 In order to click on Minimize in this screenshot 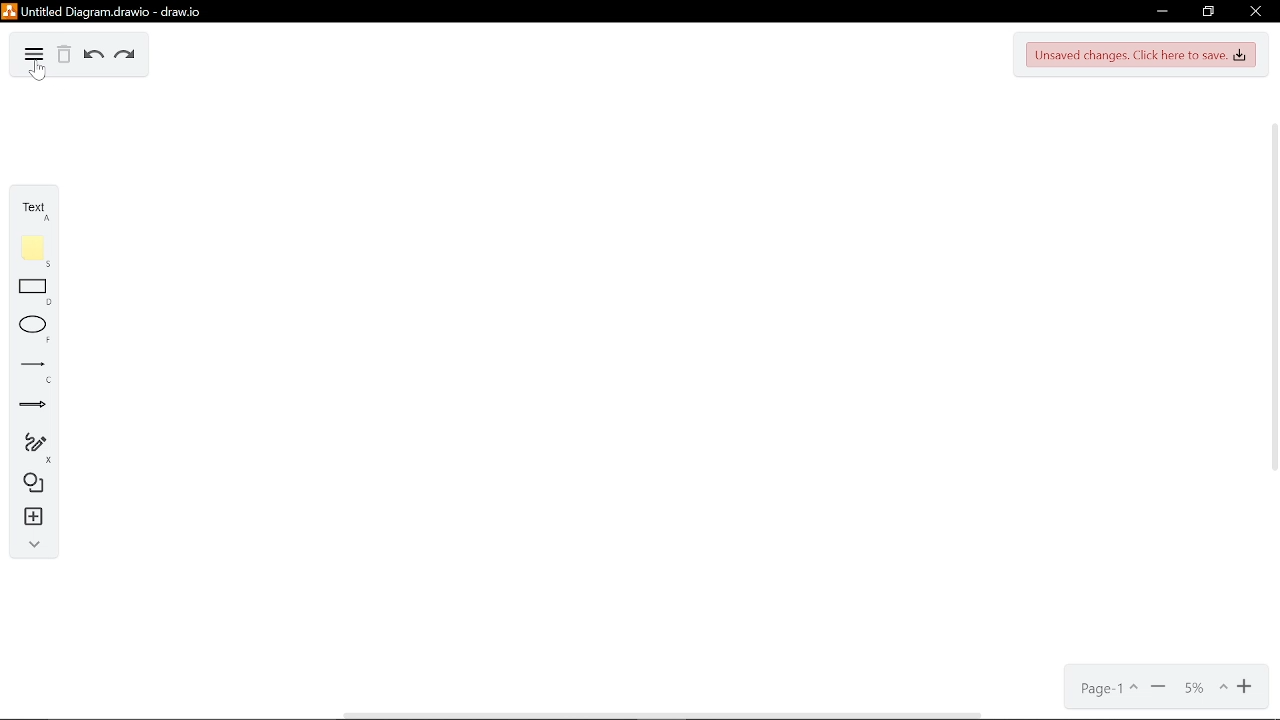, I will do `click(1166, 12)`.